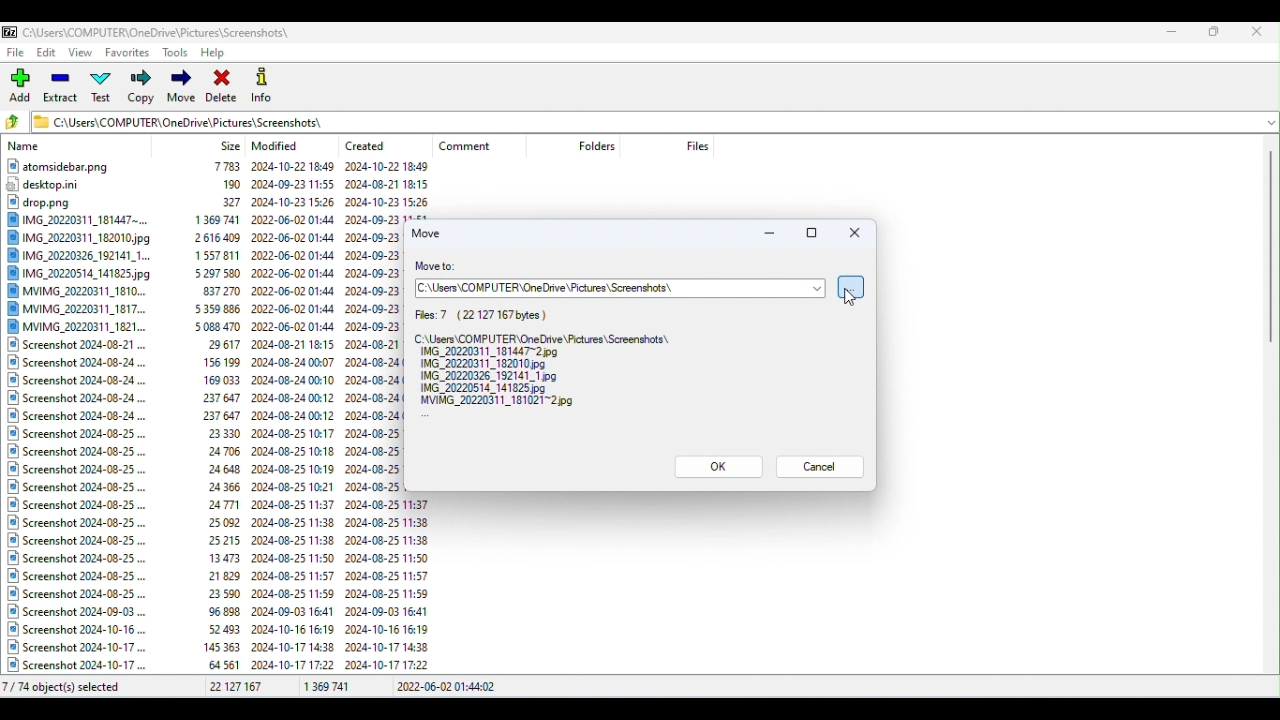 The width and height of the screenshot is (1280, 720). What do you see at coordinates (195, 418) in the screenshot?
I see `Files` at bounding box center [195, 418].